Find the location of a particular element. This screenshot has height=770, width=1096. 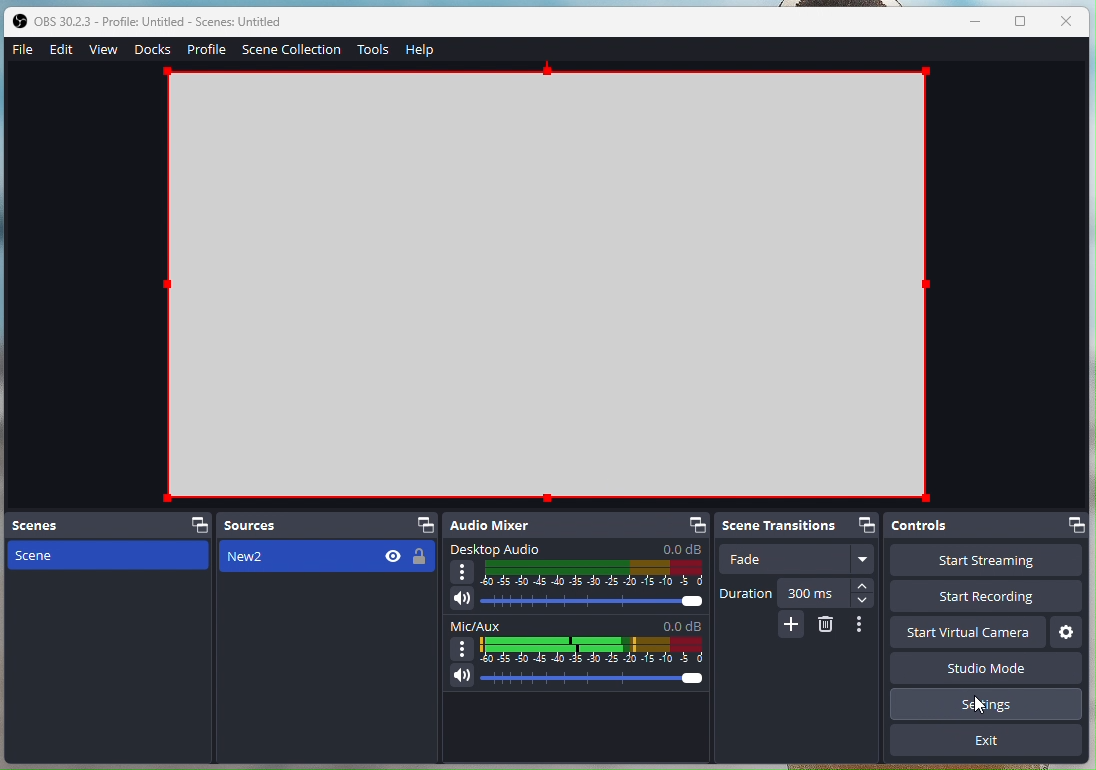

decrease is located at coordinates (862, 601).